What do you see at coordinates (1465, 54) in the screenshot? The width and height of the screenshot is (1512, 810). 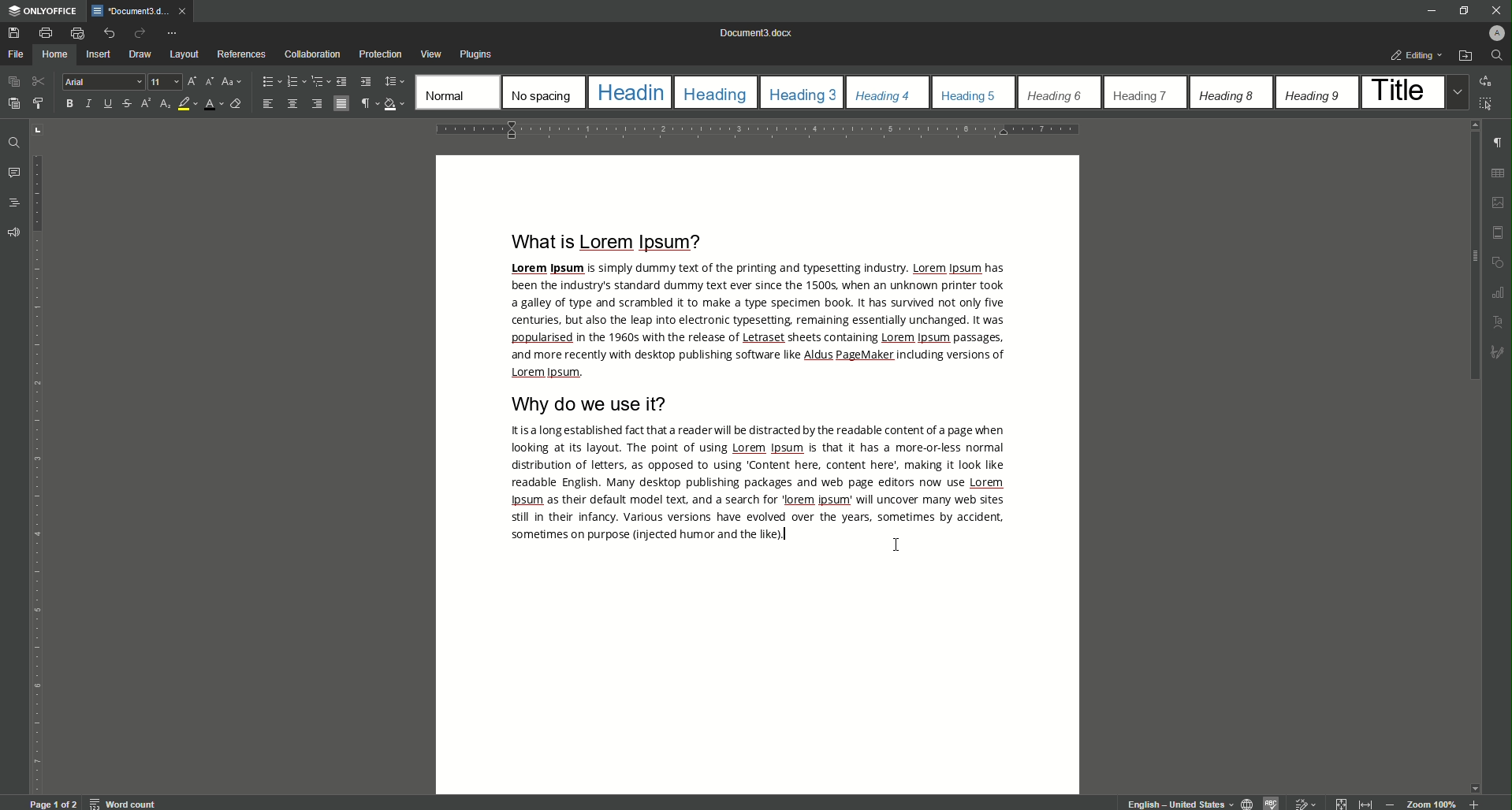 I see `Open File Location` at bounding box center [1465, 54].